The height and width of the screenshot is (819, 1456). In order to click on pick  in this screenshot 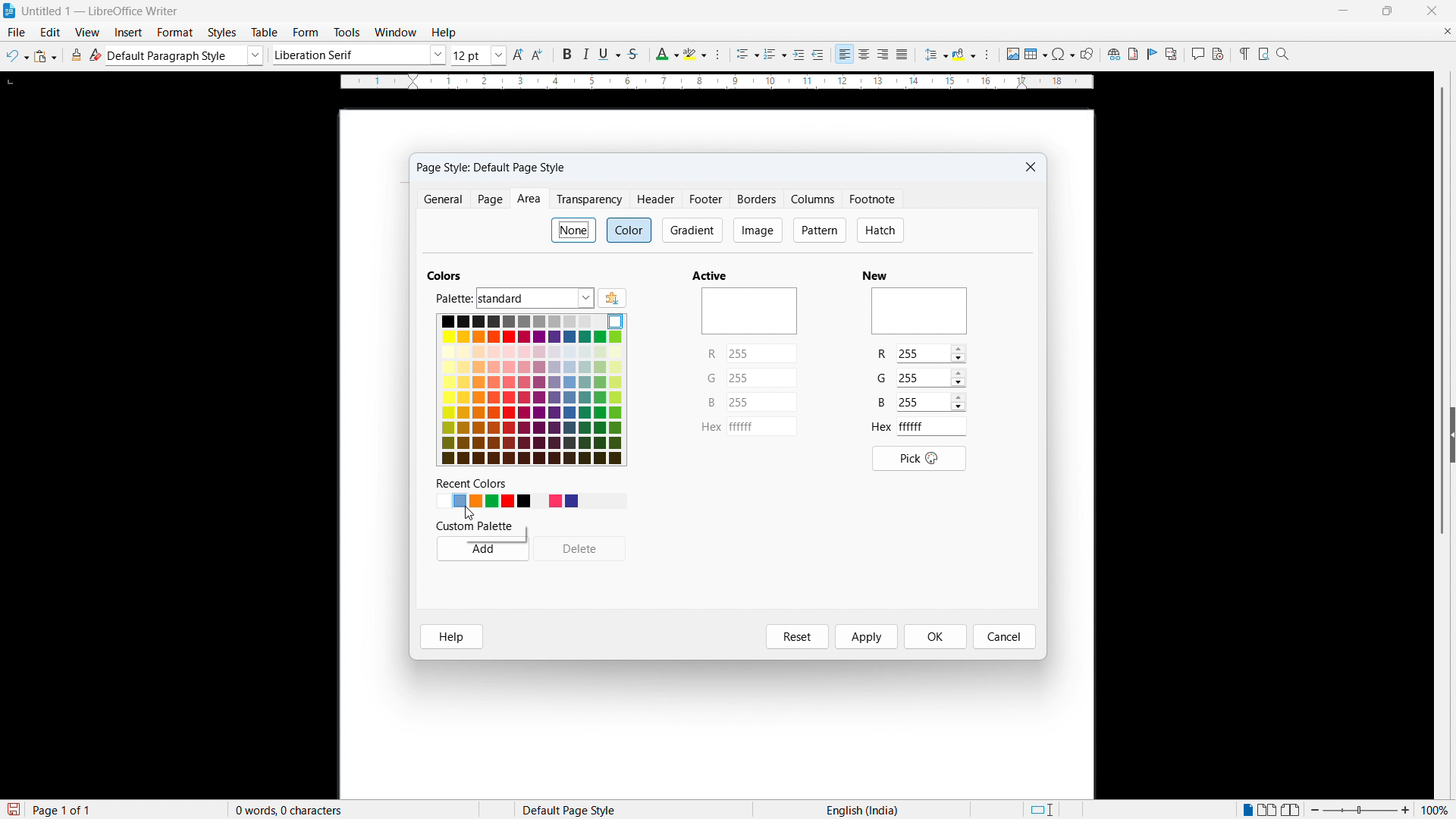, I will do `click(920, 459)`.